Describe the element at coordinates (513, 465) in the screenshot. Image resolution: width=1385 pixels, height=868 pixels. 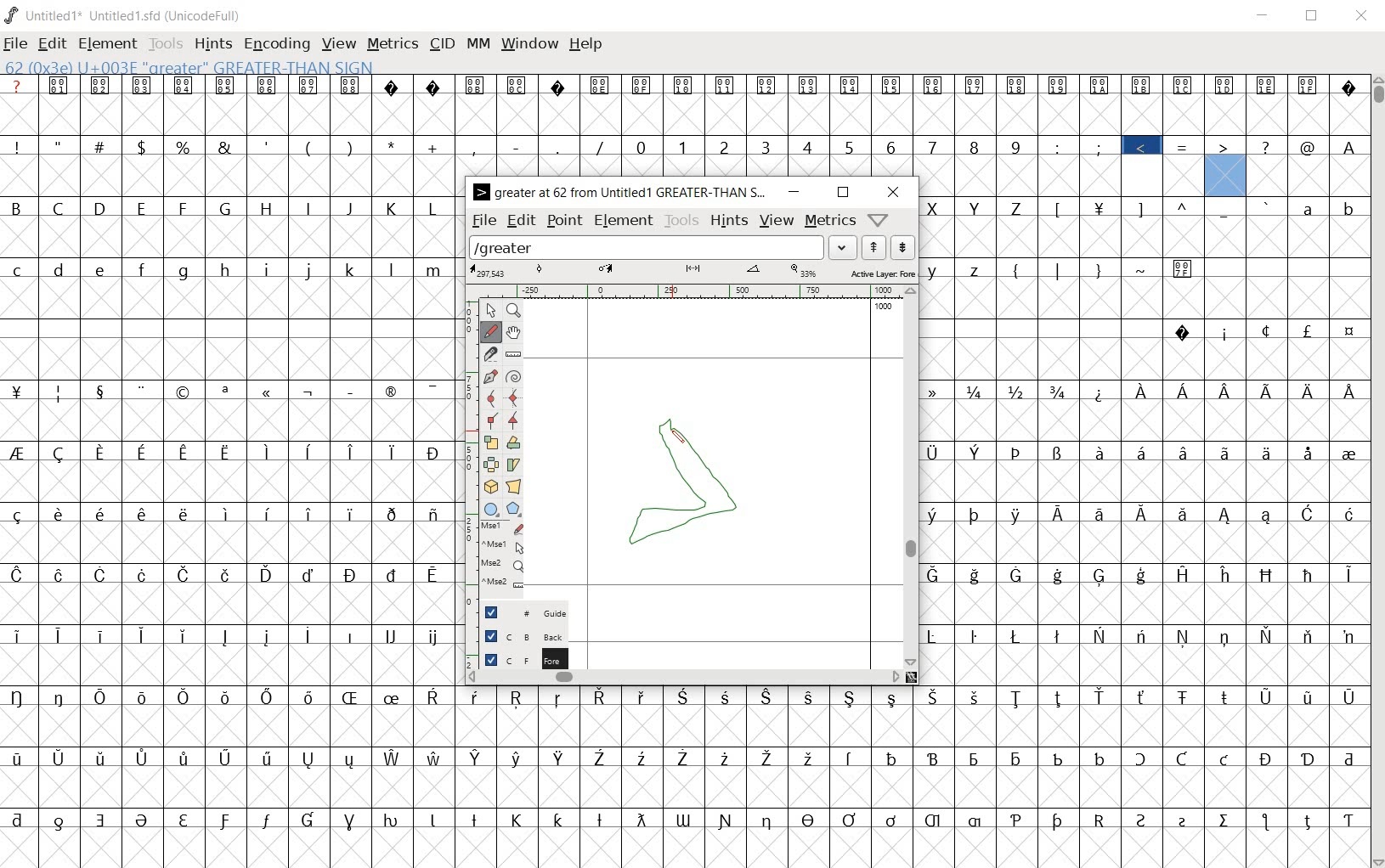
I see `skew the selection` at that location.